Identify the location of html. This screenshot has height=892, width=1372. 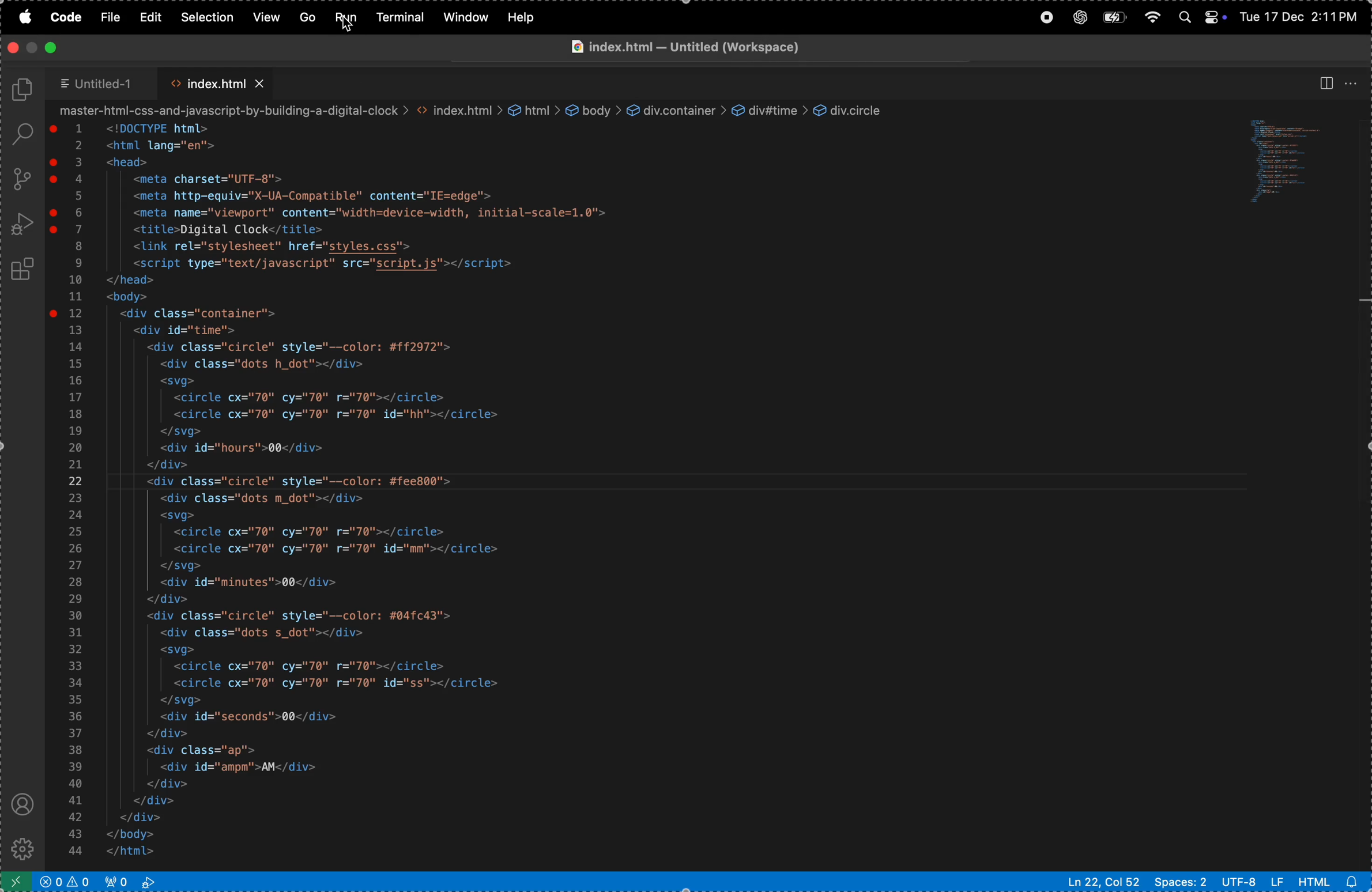
(1330, 882).